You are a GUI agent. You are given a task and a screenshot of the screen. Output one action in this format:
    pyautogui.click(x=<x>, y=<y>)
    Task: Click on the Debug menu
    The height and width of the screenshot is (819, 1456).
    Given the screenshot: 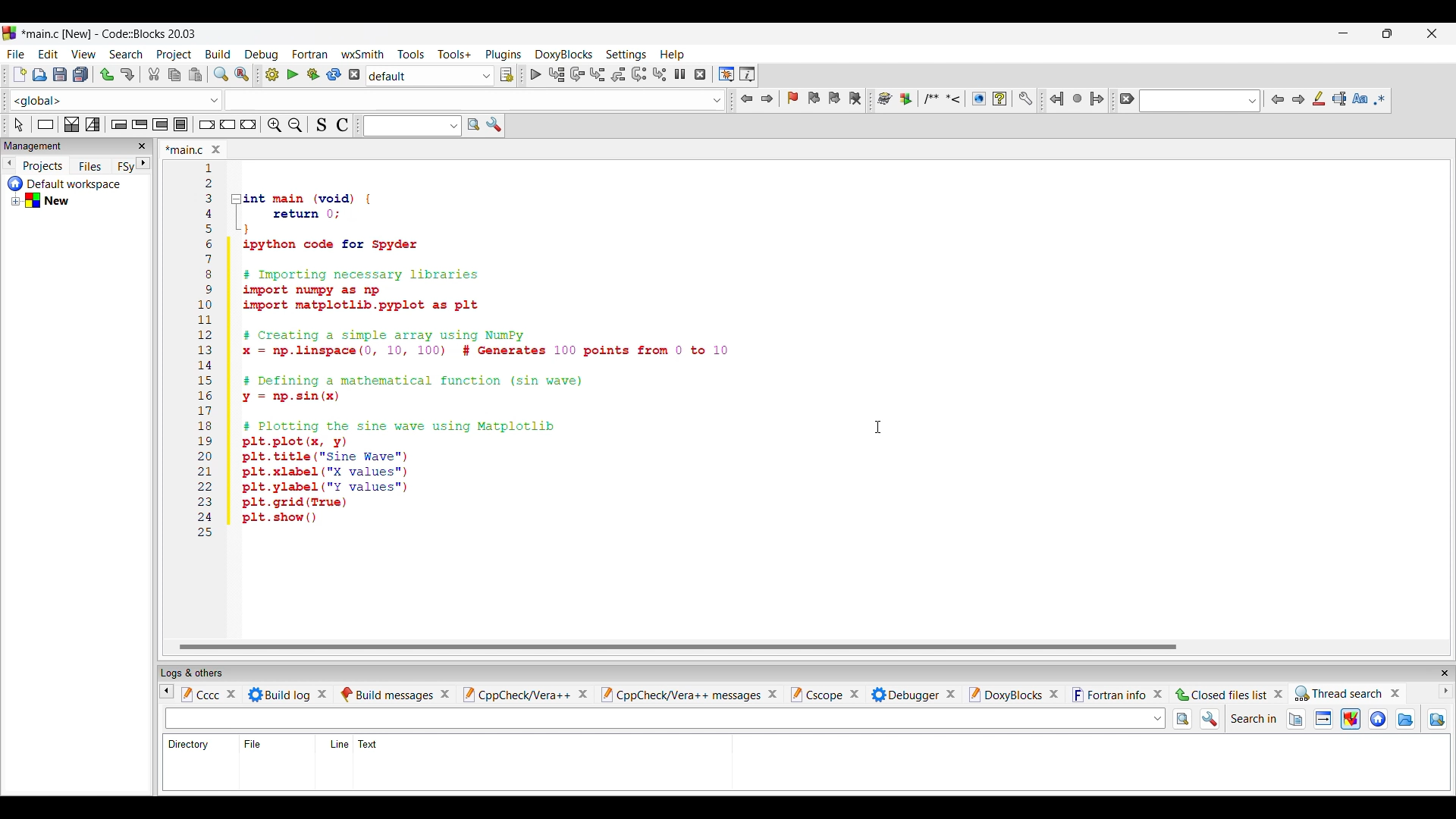 What is the action you would take?
    pyautogui.click(x=262, y=55)
    